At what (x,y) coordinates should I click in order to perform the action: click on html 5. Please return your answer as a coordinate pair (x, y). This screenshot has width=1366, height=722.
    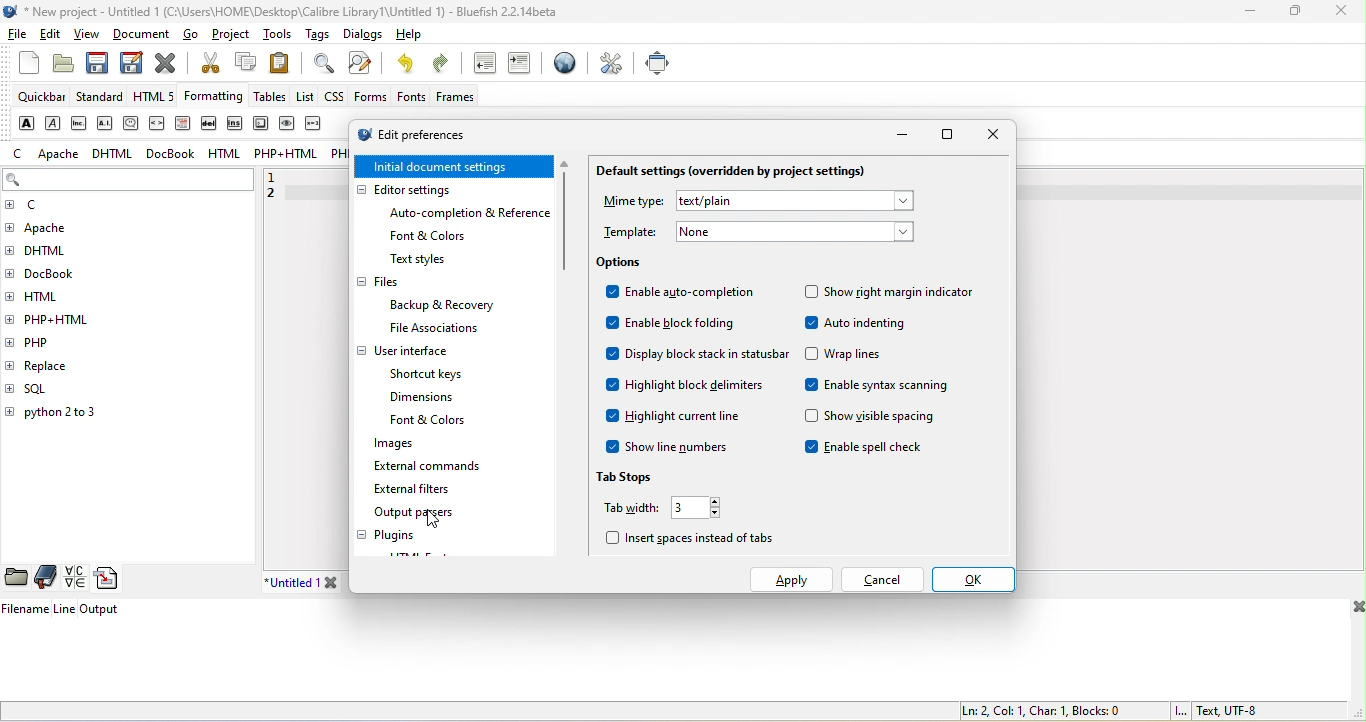
    Looking at the image, I should click on (158, 98).